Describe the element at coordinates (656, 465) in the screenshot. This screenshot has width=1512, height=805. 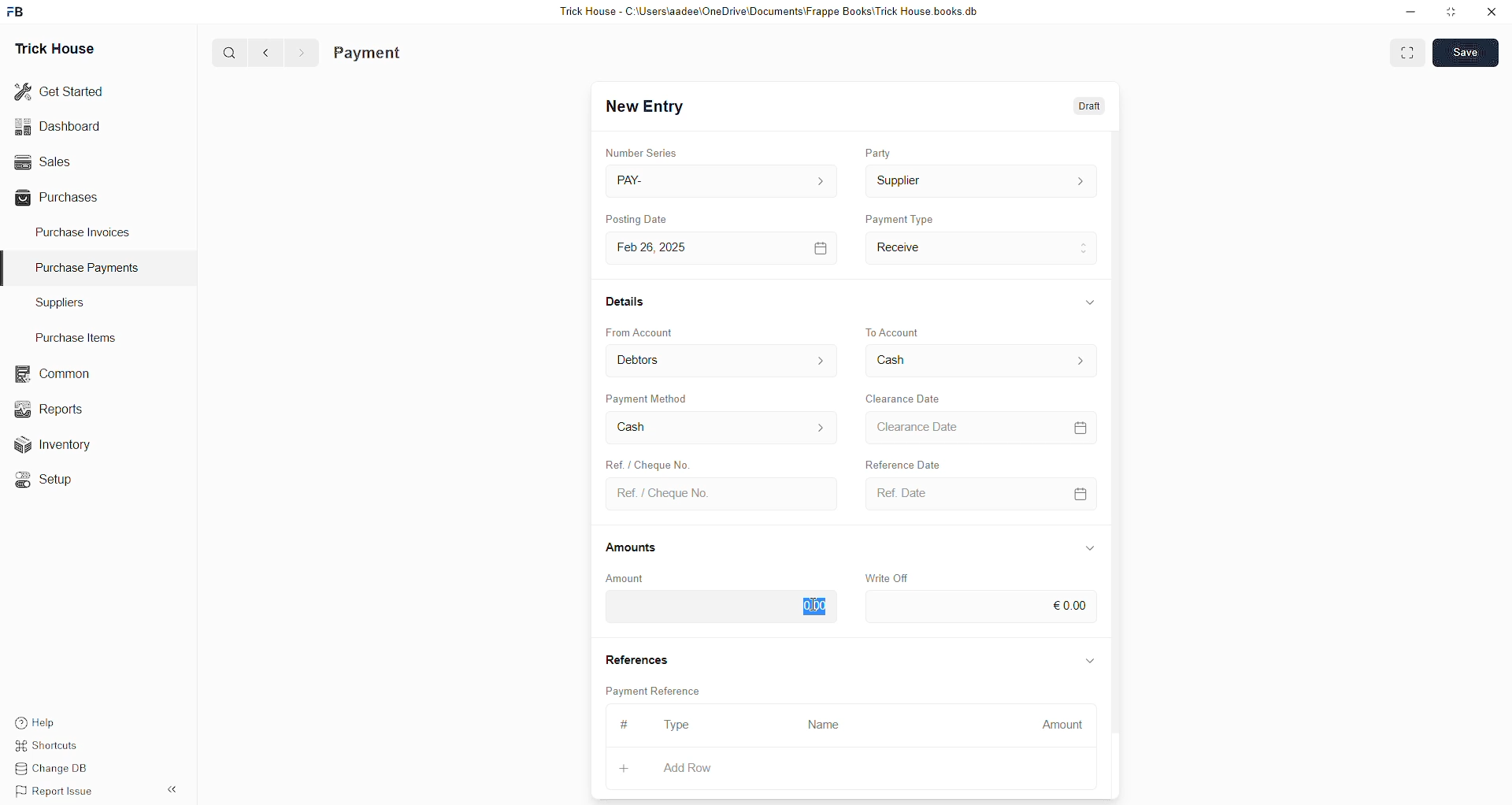
I see `Ref. / Cheque No.` at that location.